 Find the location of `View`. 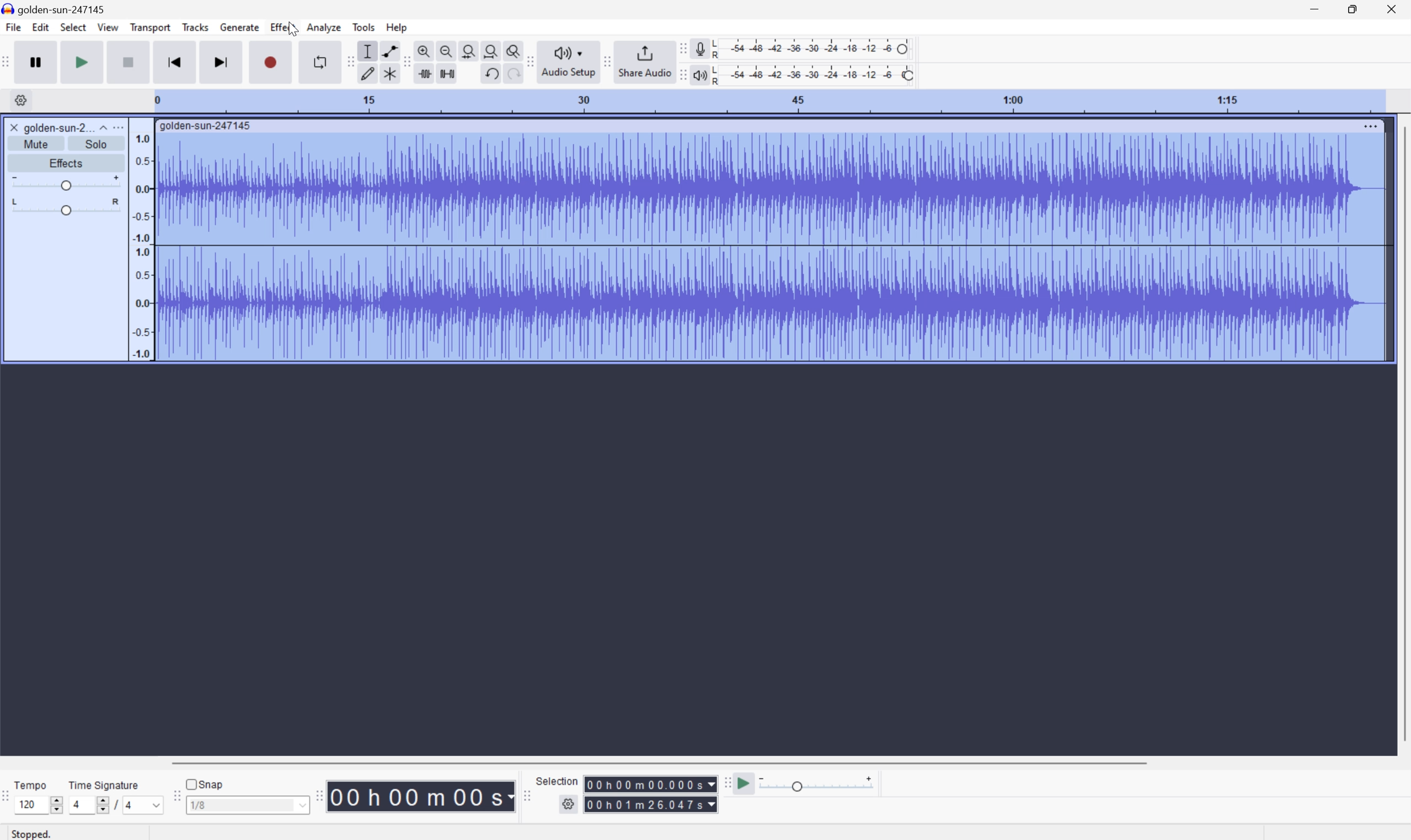

View is located at coordinates (109, 27).